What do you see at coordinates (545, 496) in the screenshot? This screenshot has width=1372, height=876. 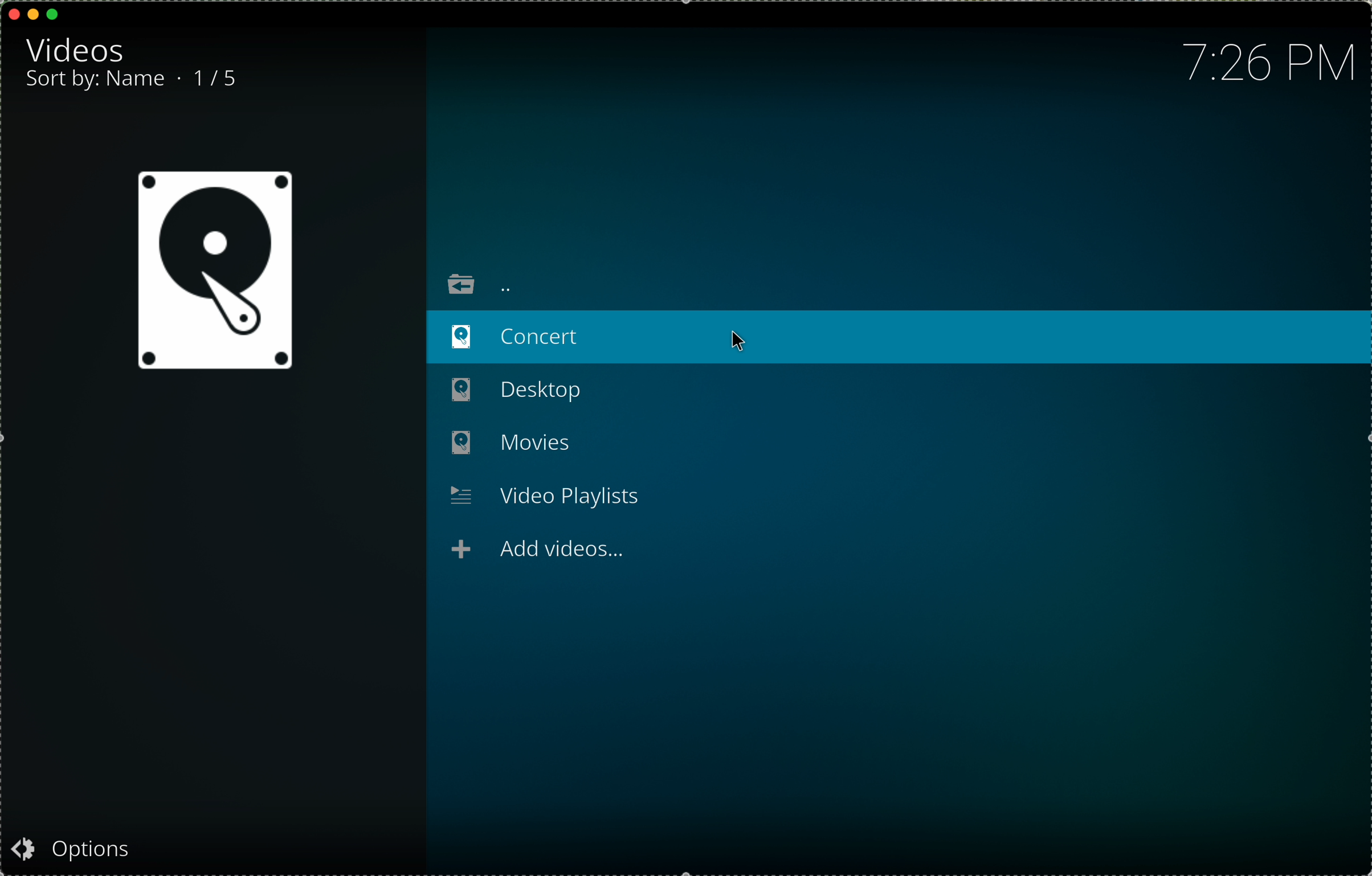 I see `video playlists` at bounding box center [545, 496].